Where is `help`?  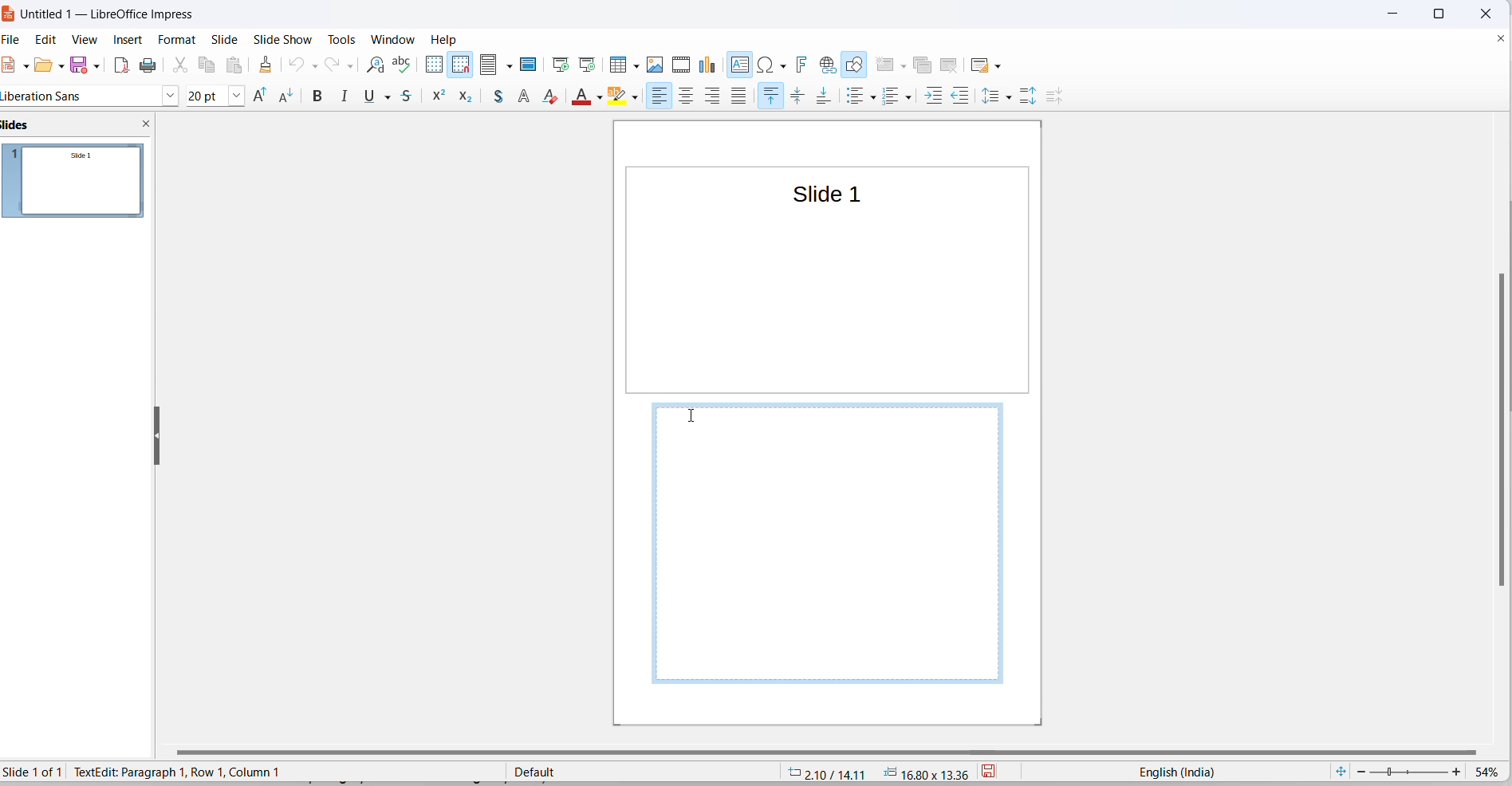 help is located at coordinates (445, 39).